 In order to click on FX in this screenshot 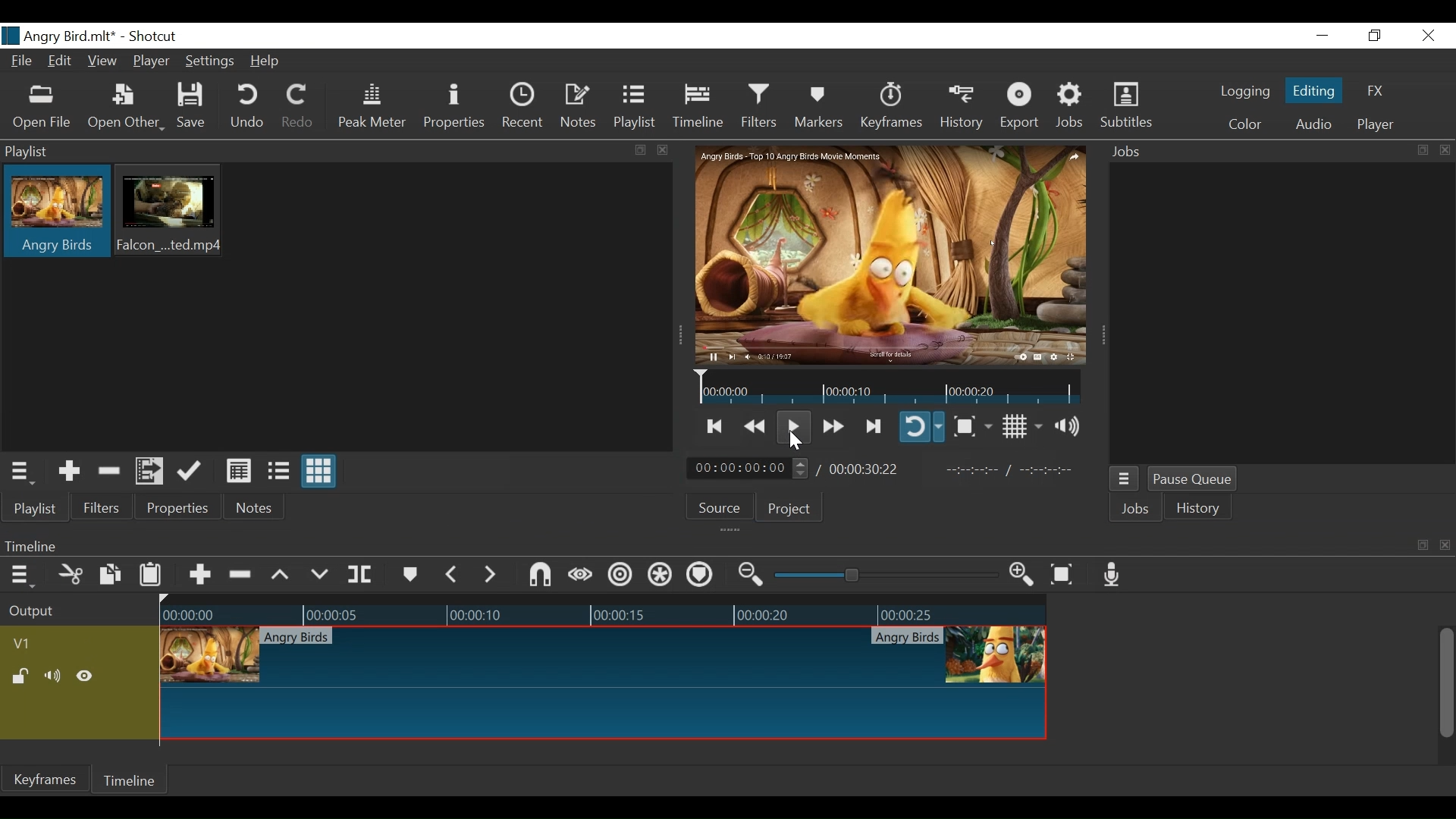, I will do `click(1375, 90)`.